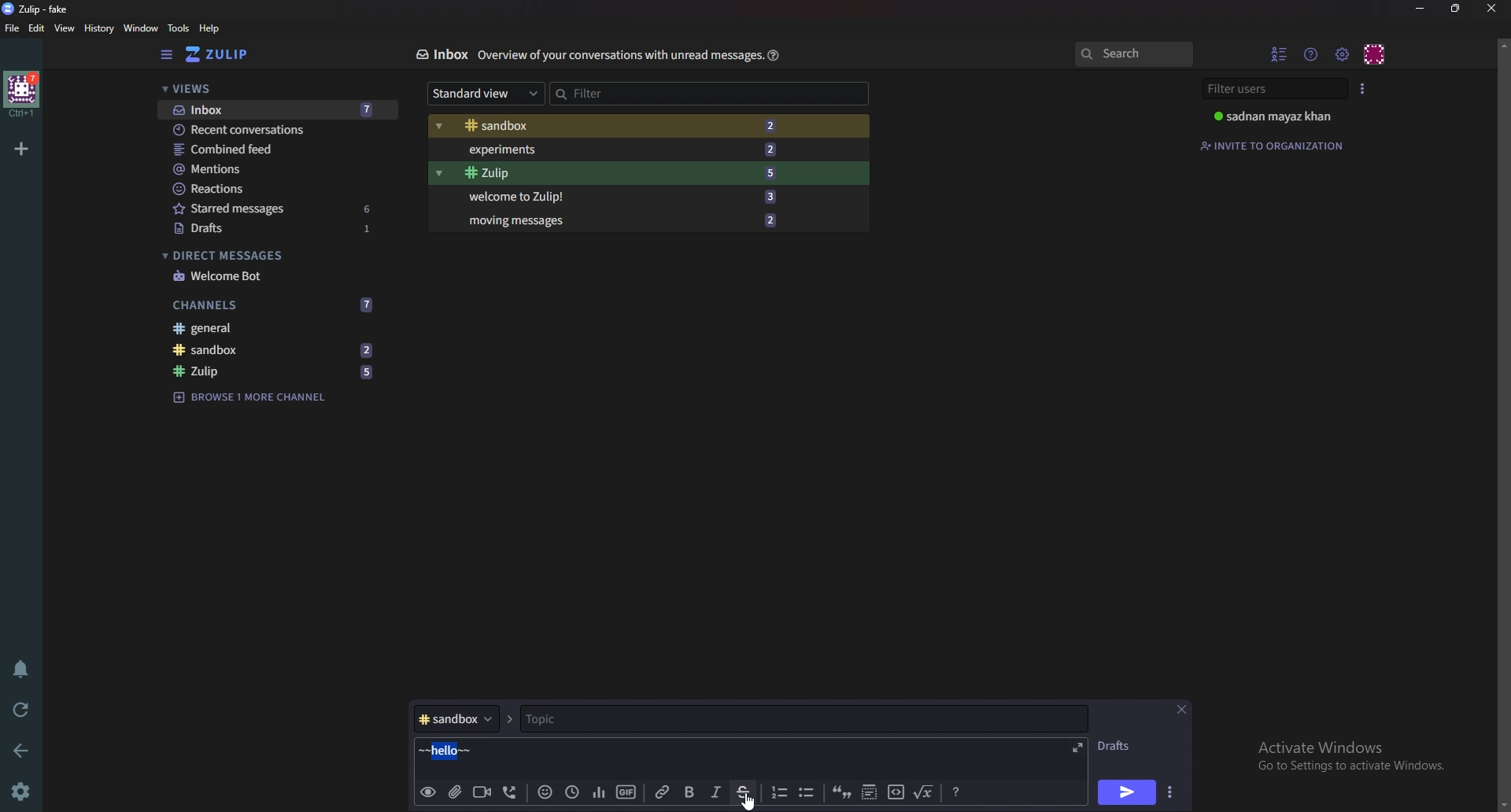 The height and width of the screenshot is (812, 1511). Describe the element at coordinates (100, 28) in the screenshot. I see `history` at that location.